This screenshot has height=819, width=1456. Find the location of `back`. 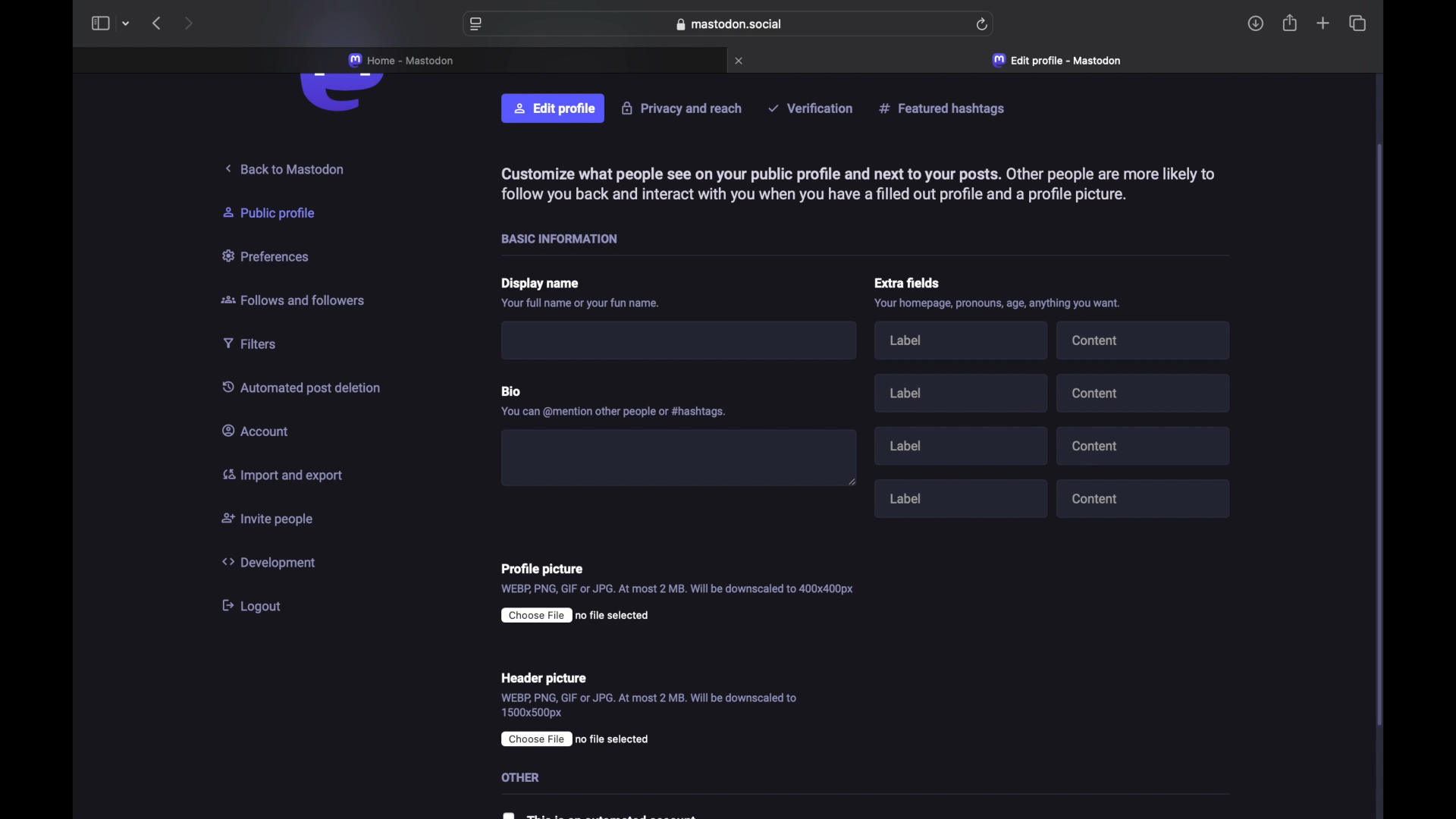

back is located at coordinates (156, 24).